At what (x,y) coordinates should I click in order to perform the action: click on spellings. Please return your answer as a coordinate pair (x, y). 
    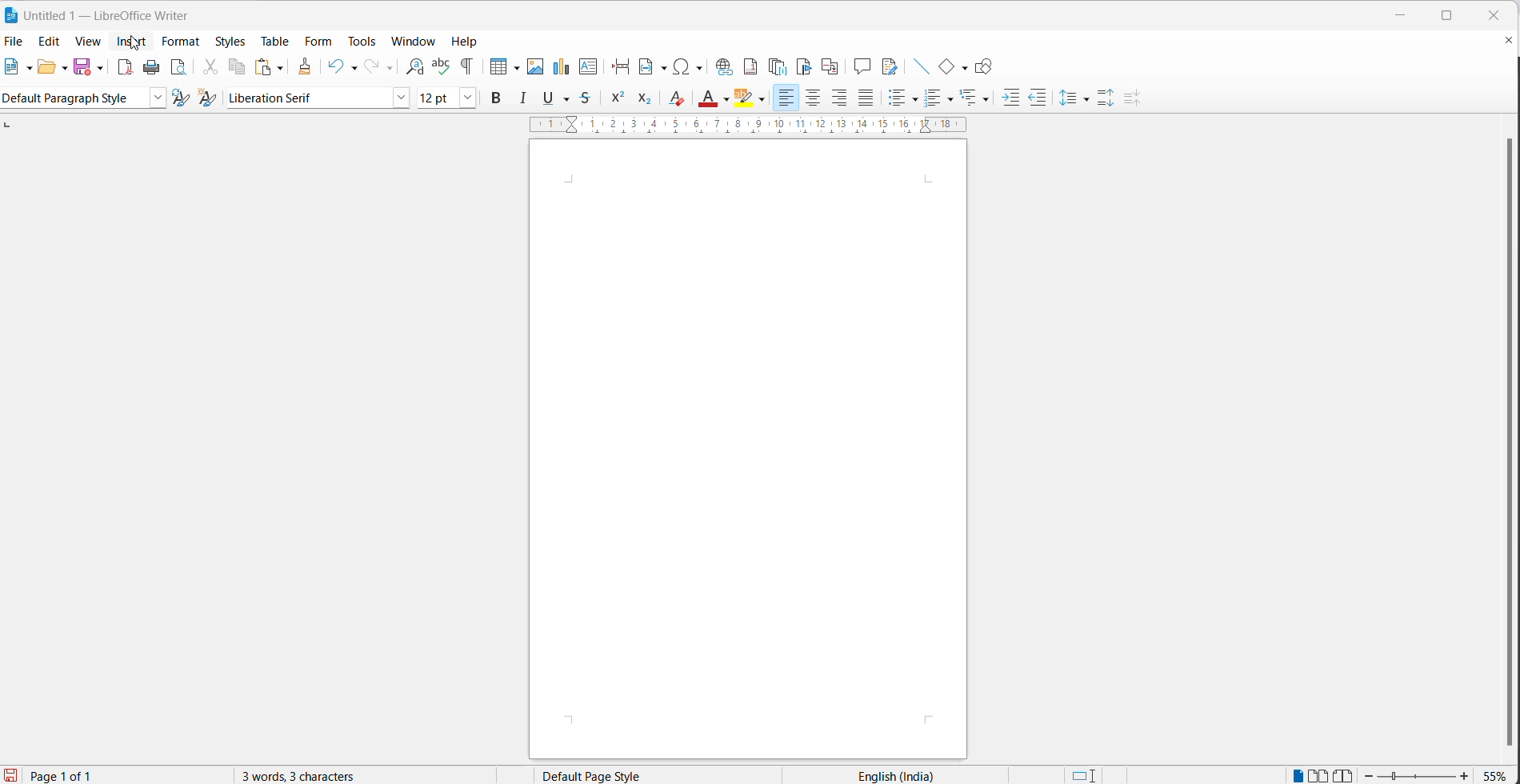
    Looking at the image, I should click on (443, 68).